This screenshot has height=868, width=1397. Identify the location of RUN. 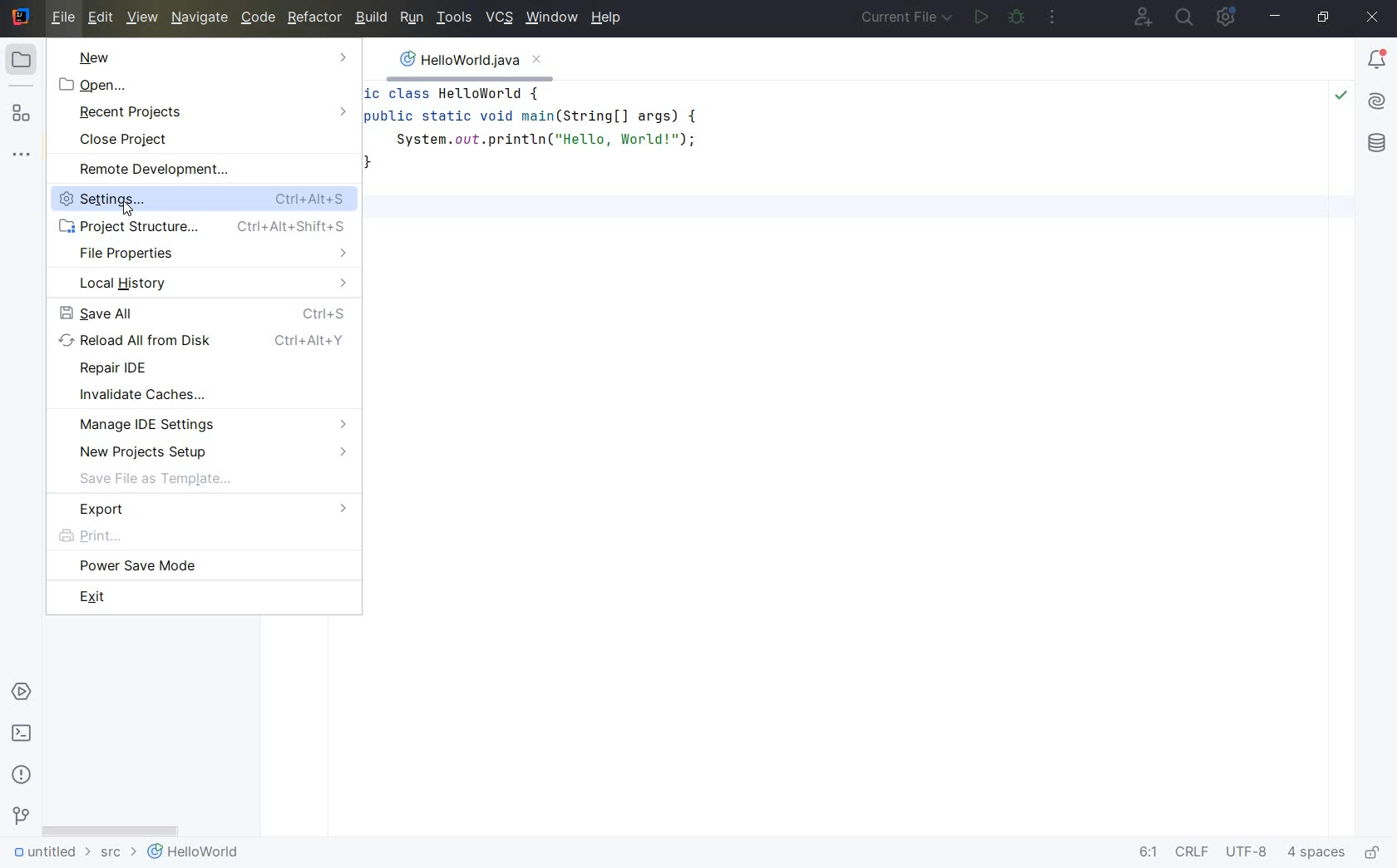
(412, 18).